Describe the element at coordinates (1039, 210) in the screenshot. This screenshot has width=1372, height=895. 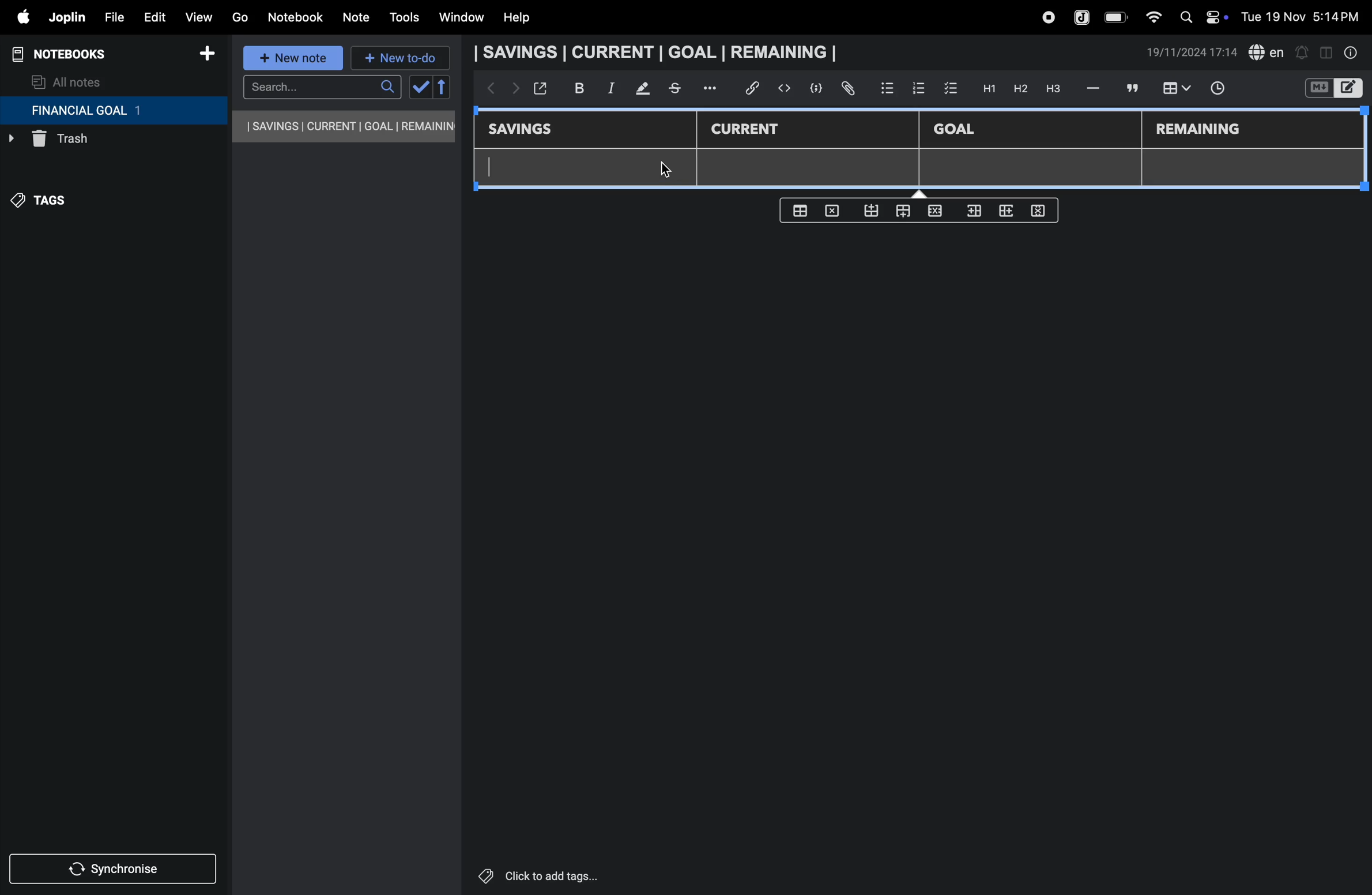
I see `delete rows` at that location.